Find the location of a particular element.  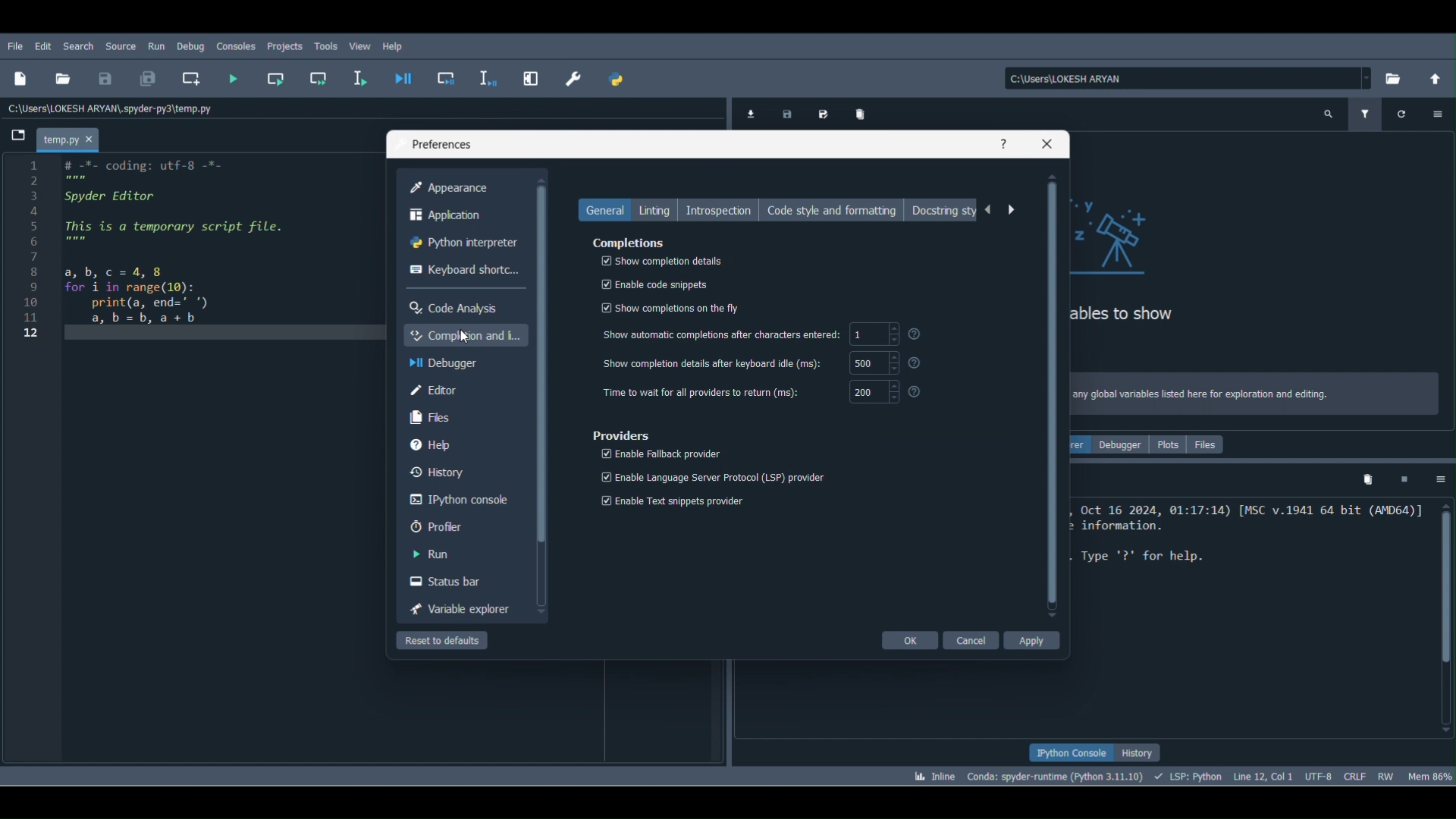

Show completion details is located at coordinates (661, 260).